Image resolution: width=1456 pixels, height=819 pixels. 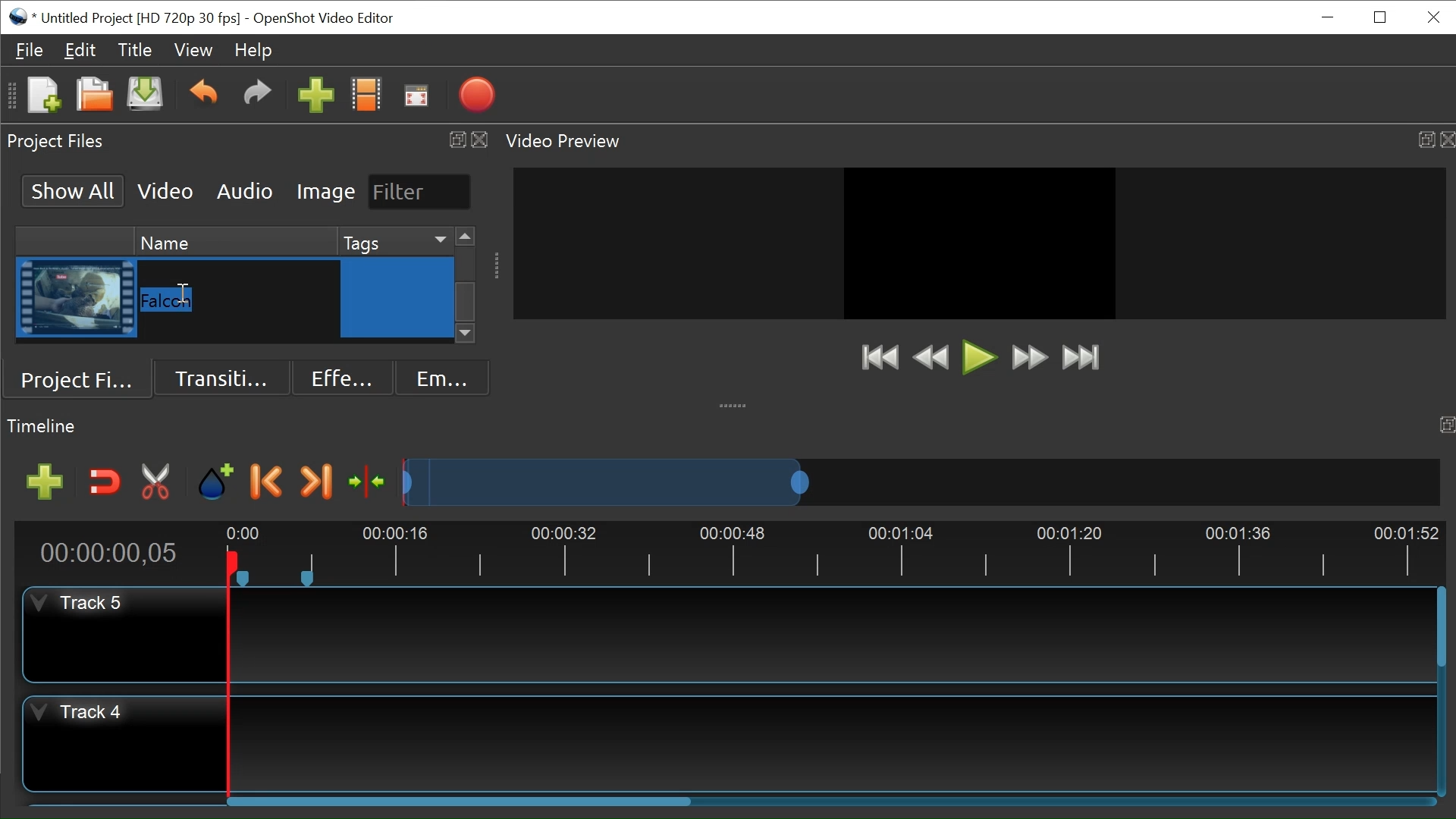 I want to click on Fast Forward, so click(x=1029, y=359).